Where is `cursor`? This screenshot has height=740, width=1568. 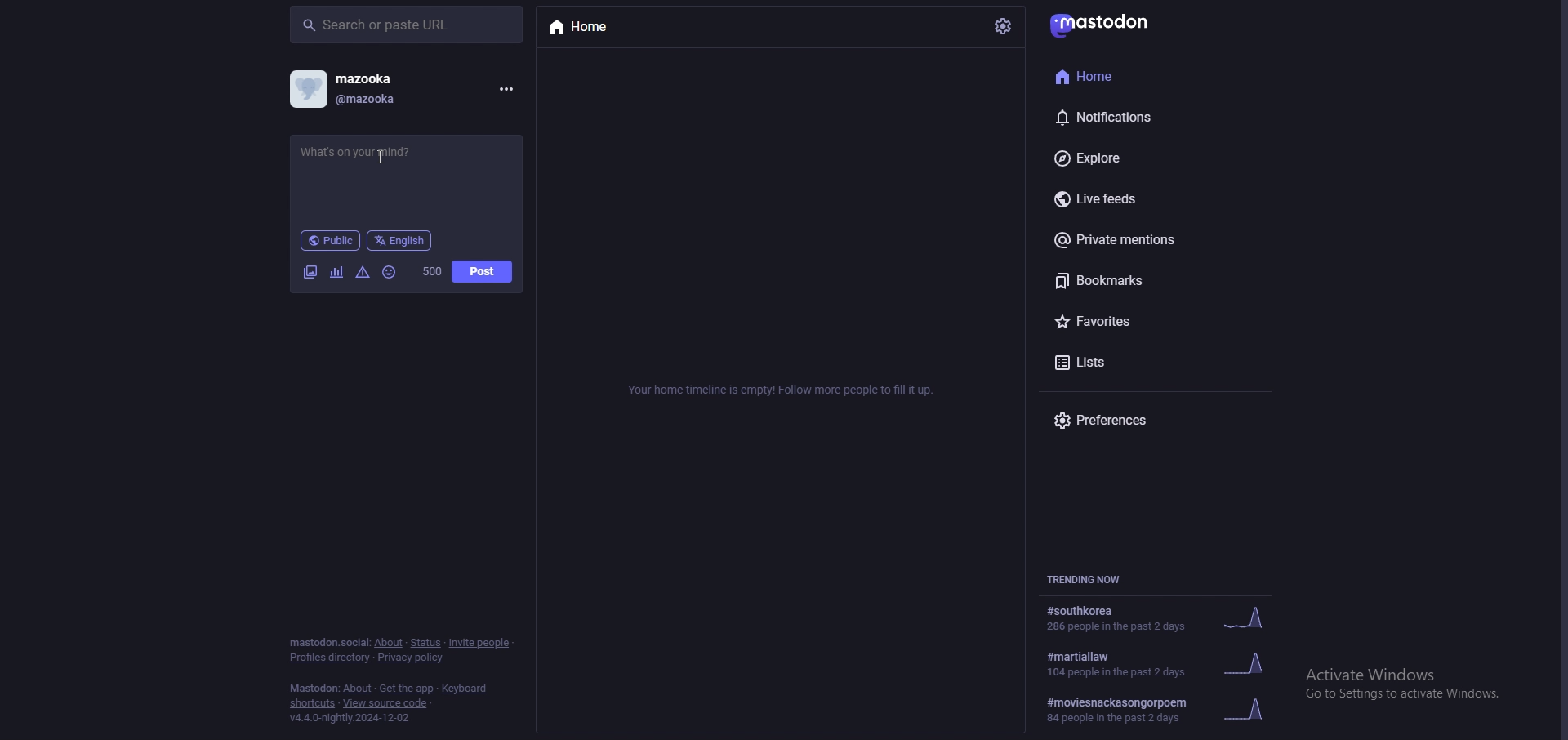 cursor is located at coordinates (380, 158).